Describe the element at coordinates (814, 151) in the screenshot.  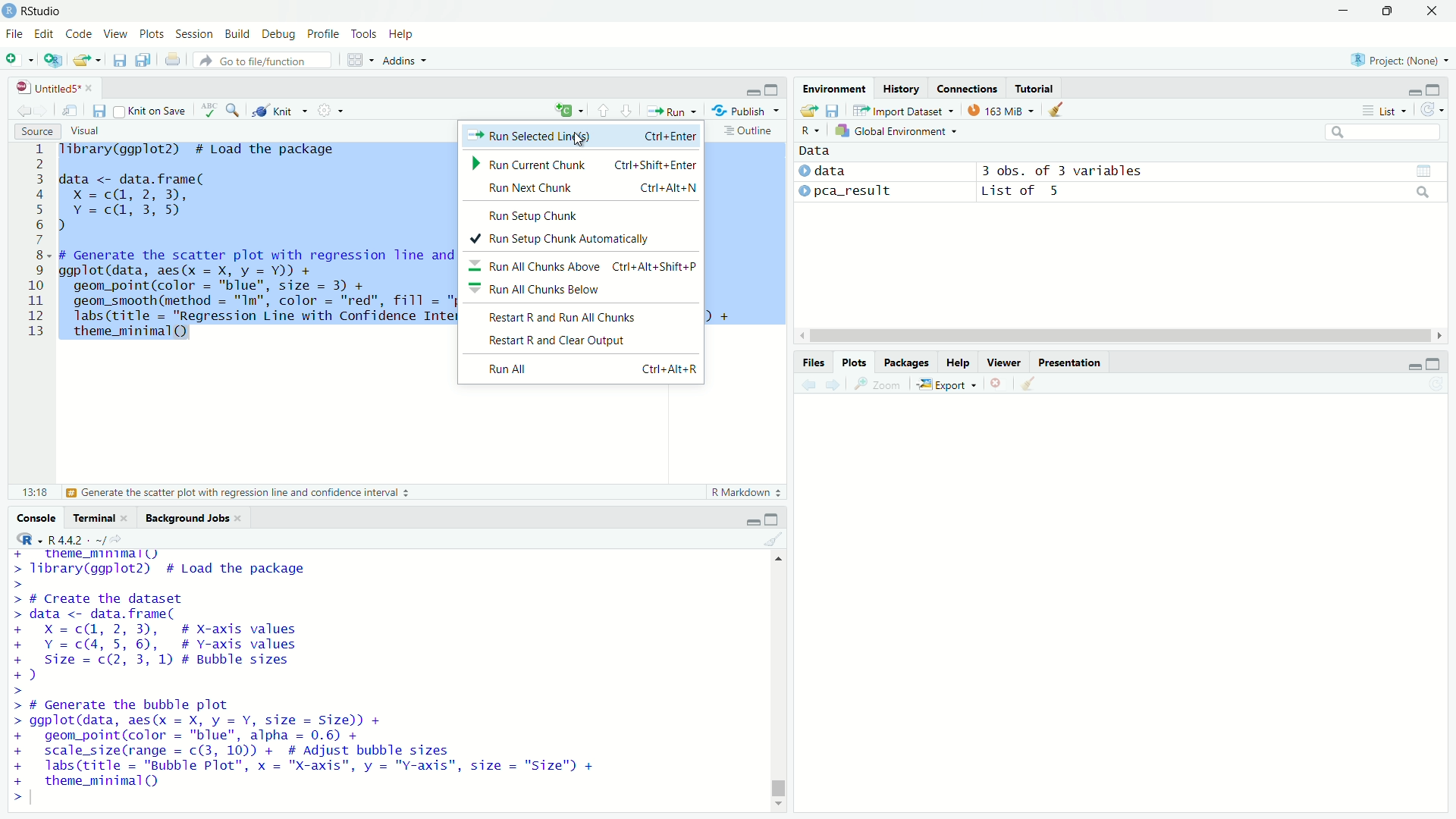
I see `Data` at that location.